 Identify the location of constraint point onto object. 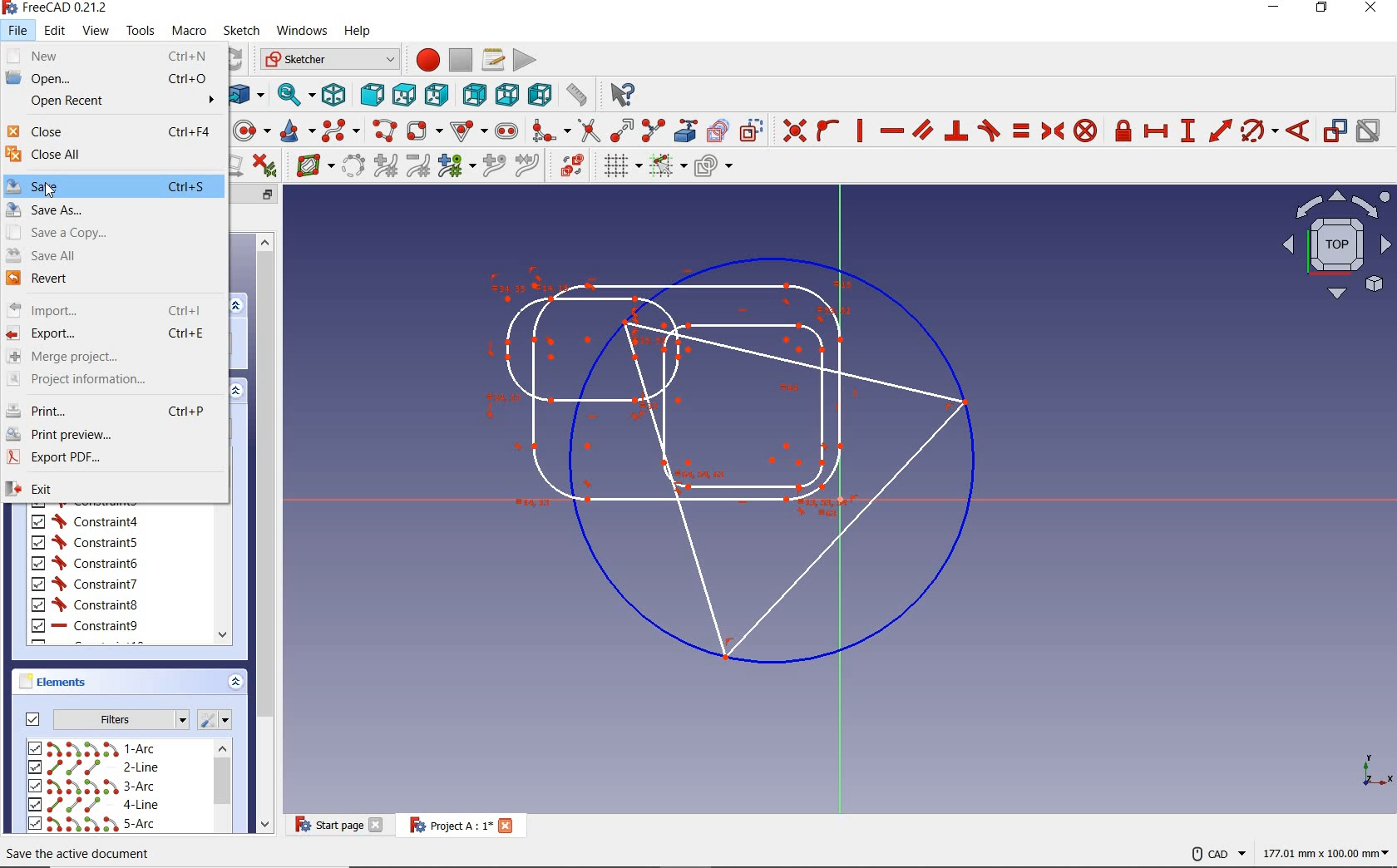
(827, 128).